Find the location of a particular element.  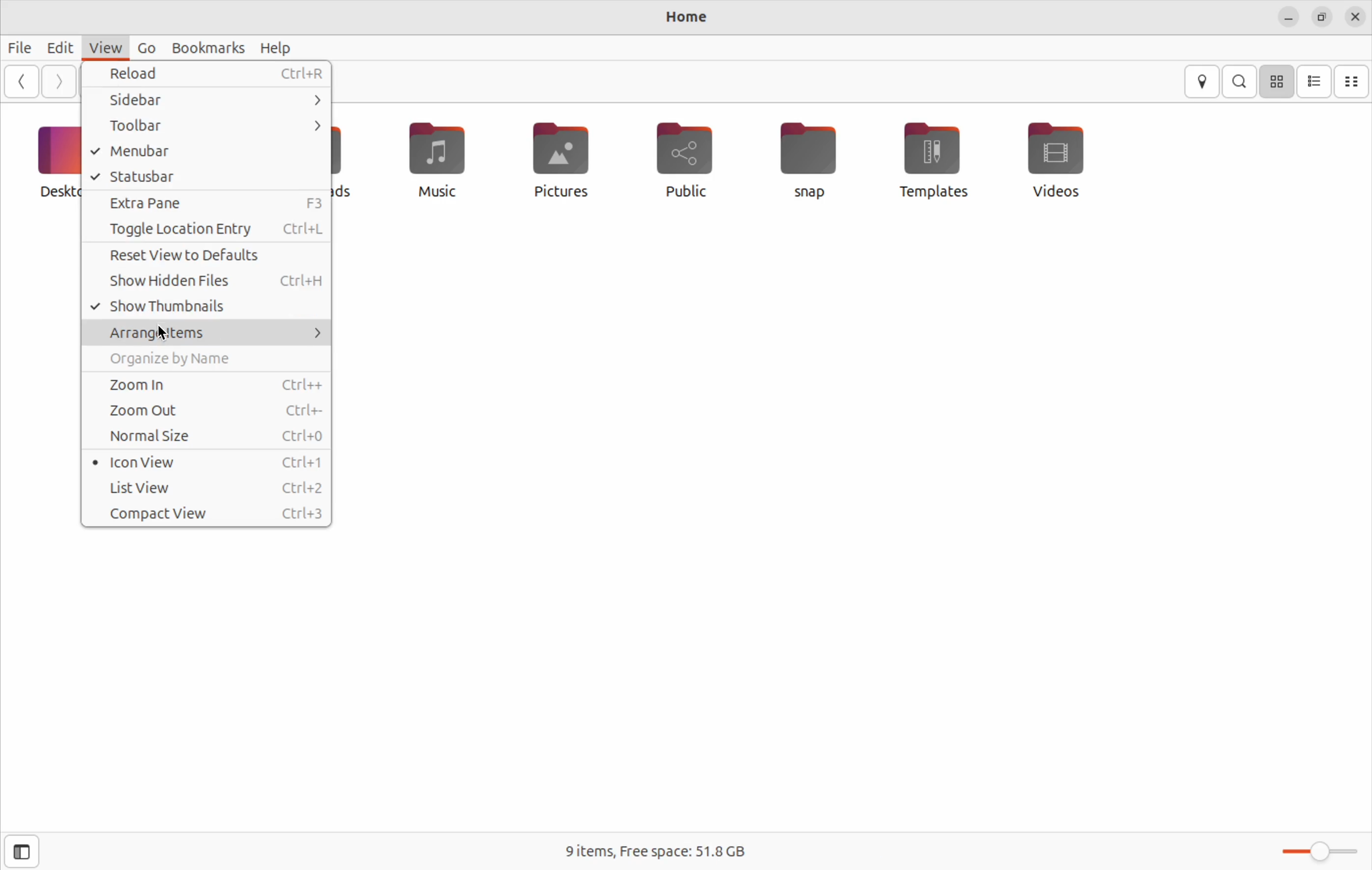

search is located at coordinates (1242, 81).